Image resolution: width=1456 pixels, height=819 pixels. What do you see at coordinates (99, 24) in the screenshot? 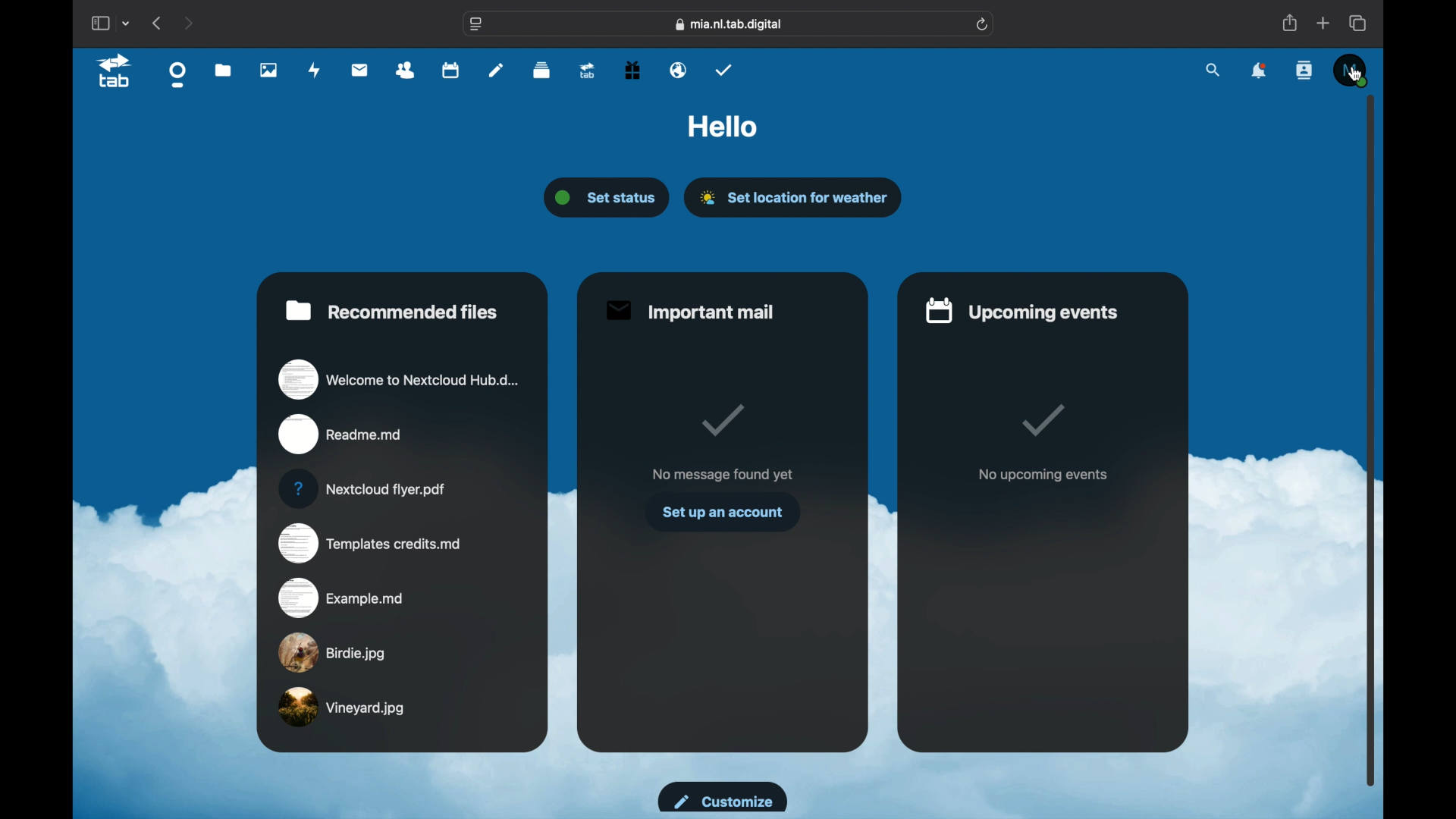
I see `show sidebar` at bounding box center [99, 24].